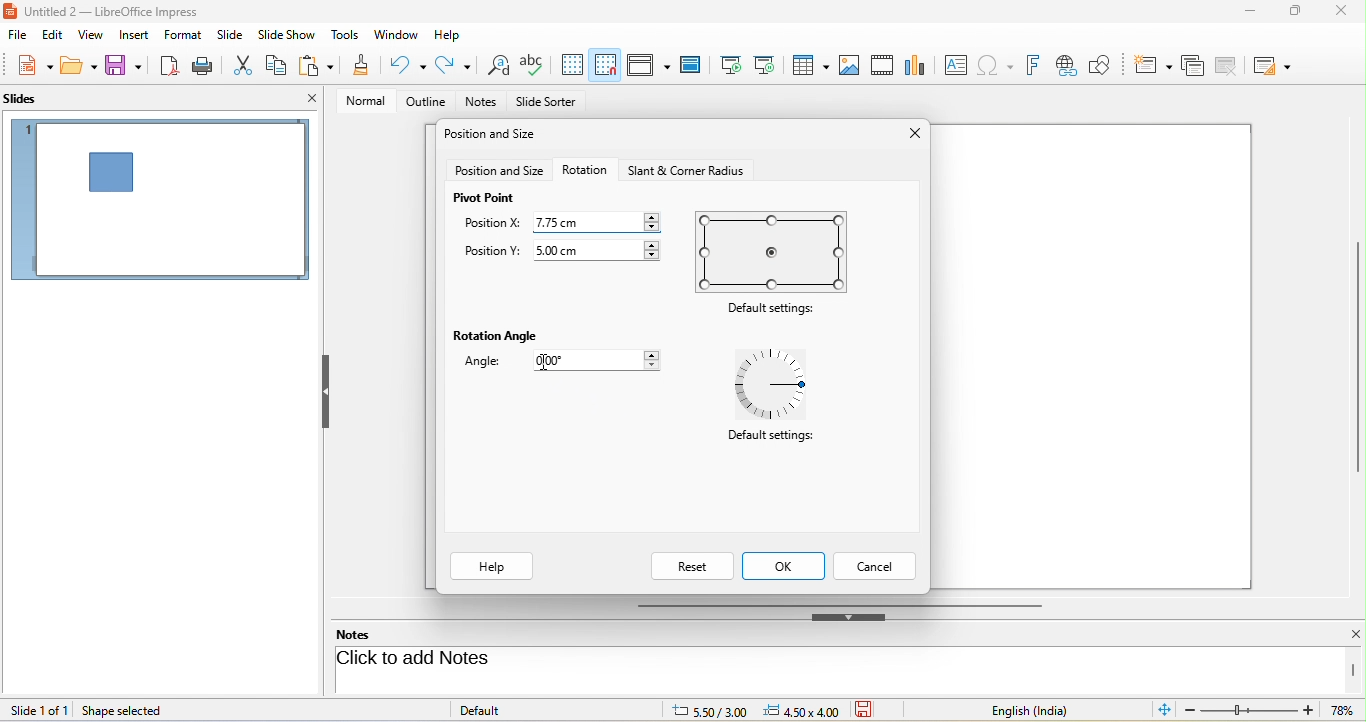  What do you see at coordinates (160, 207) in the screenshot?
I see `slide 1 preview` at bounding box center [160, 207].